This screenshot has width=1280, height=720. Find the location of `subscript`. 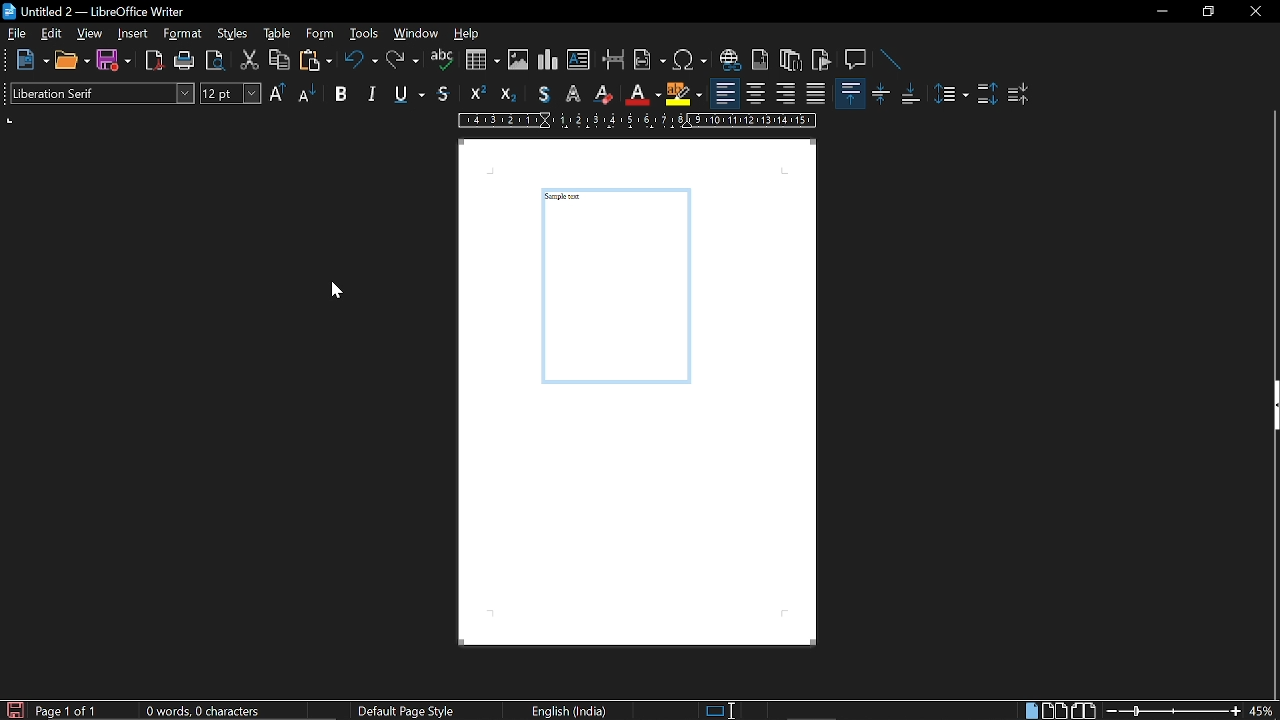

subscript is located at coordinates (511, 94).